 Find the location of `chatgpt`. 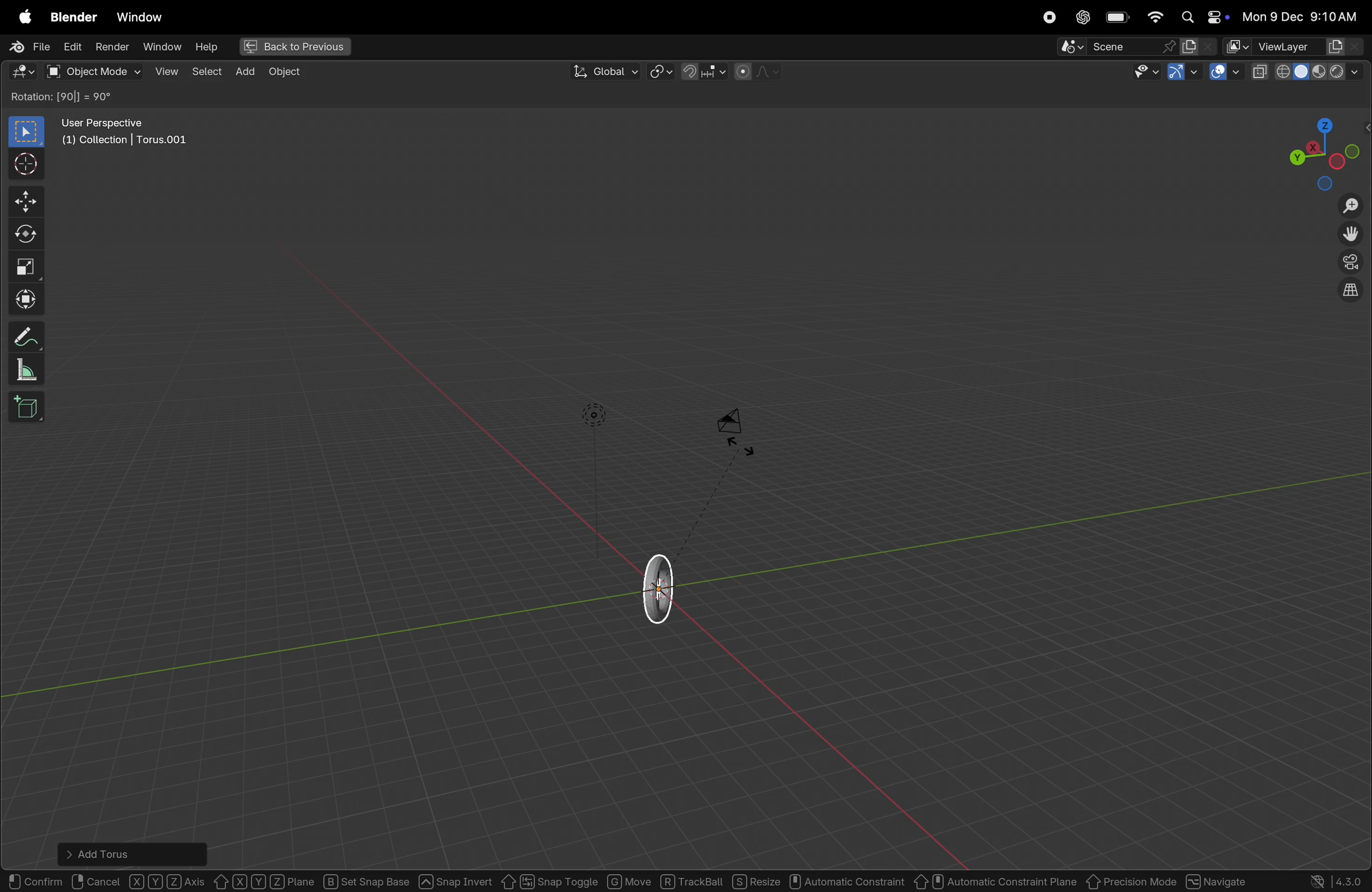

chatgpt is located at coordinates (1081, 17).